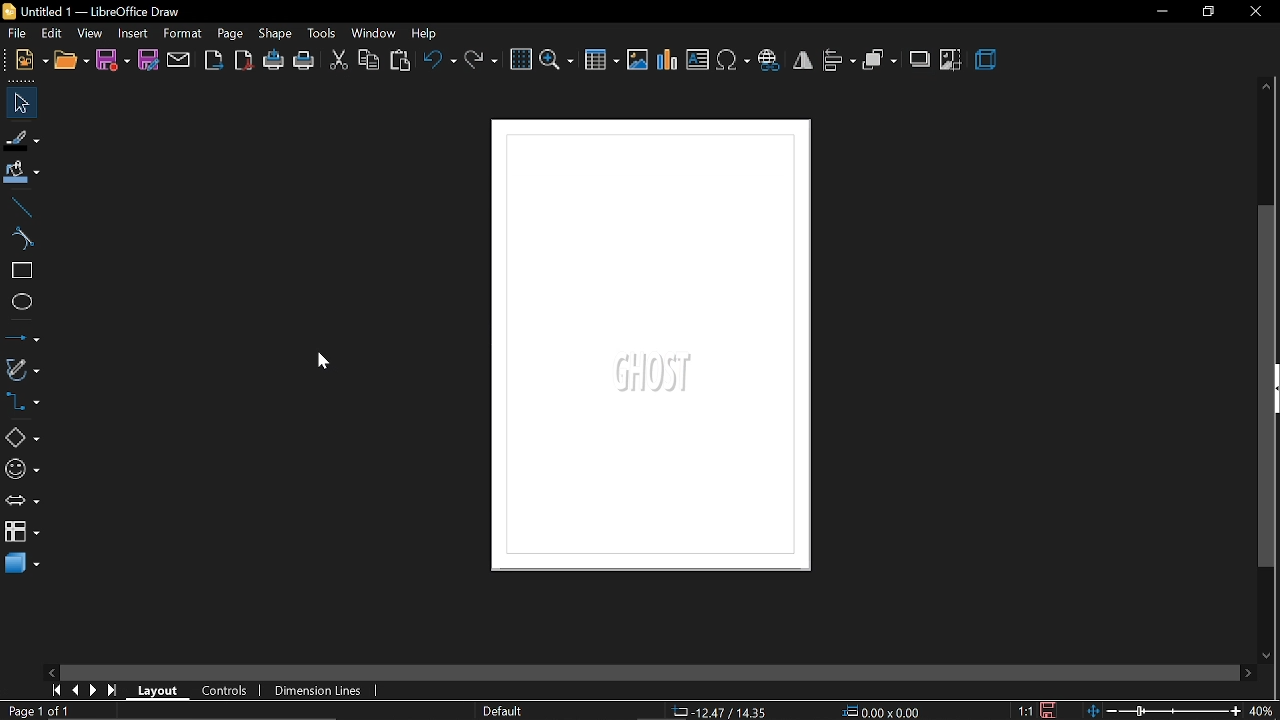  Describe the element at coordinates (113, 62) in the screenshot. I see `save` at that location.